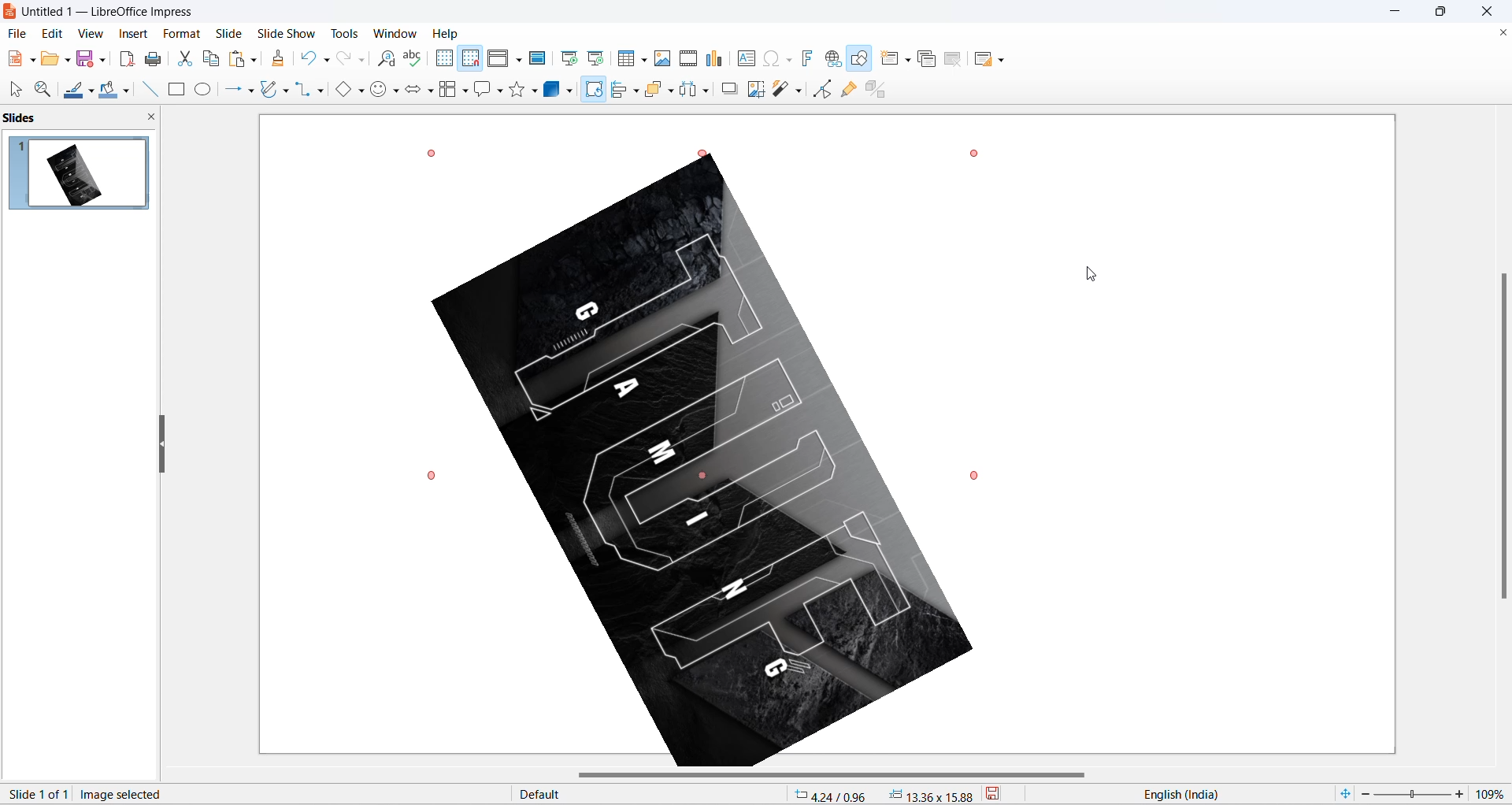 Image resolution: width=1512 pixels, height=805 pixels. What do you see at coordinates (380, 92) in the screenshot?
I see `symbol shapes` at bounding box center [380, 92].